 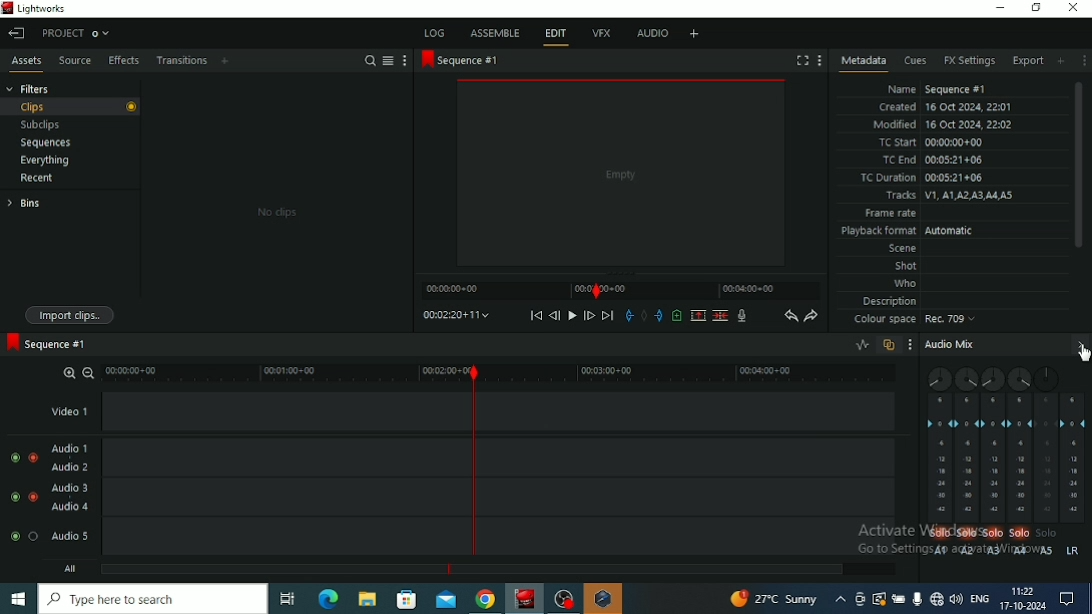 I want to click on Everything, so click(x=44, y=160).